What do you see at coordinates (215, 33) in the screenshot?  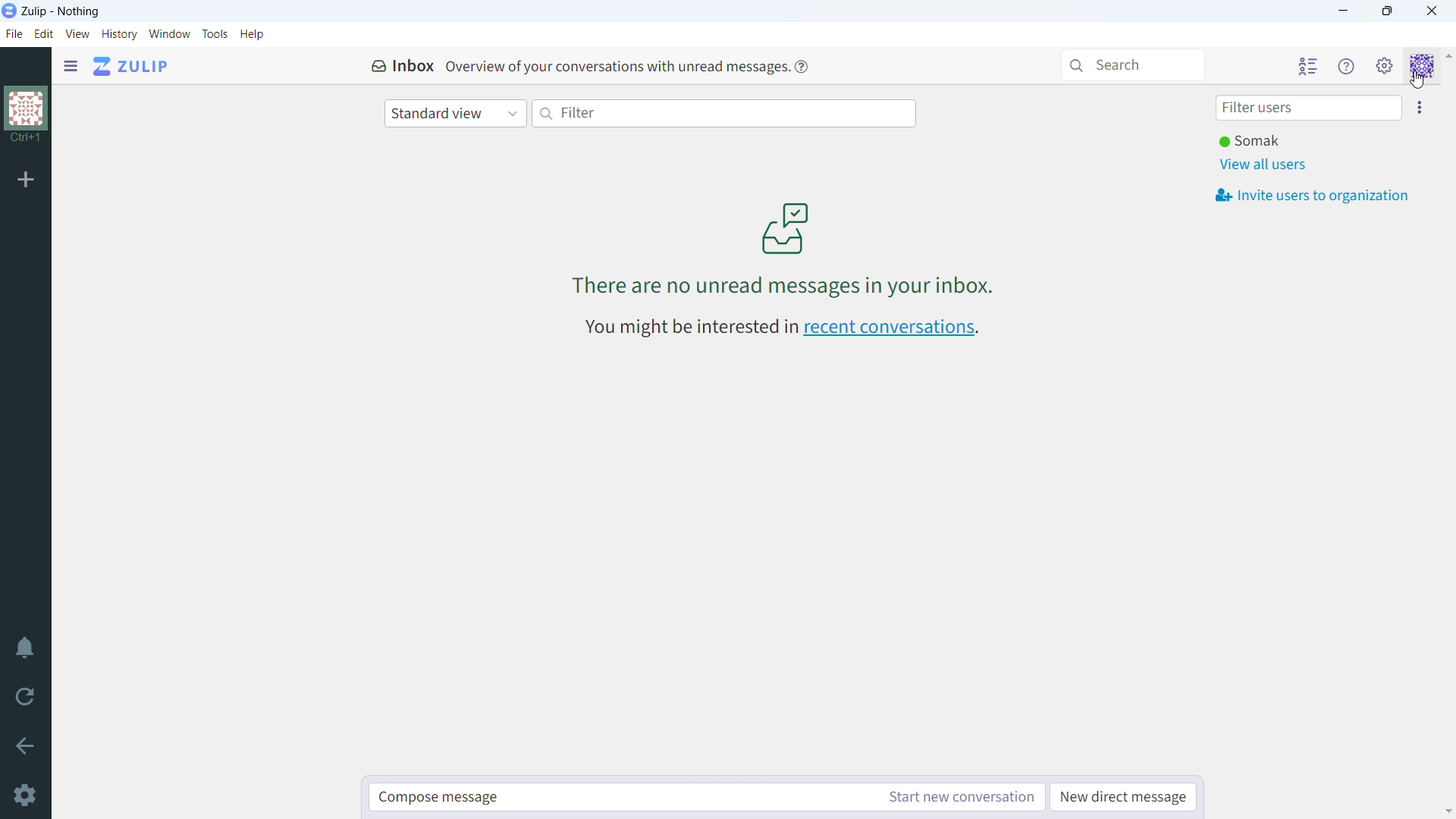 I see `tools` at bounding box center [215, 33].